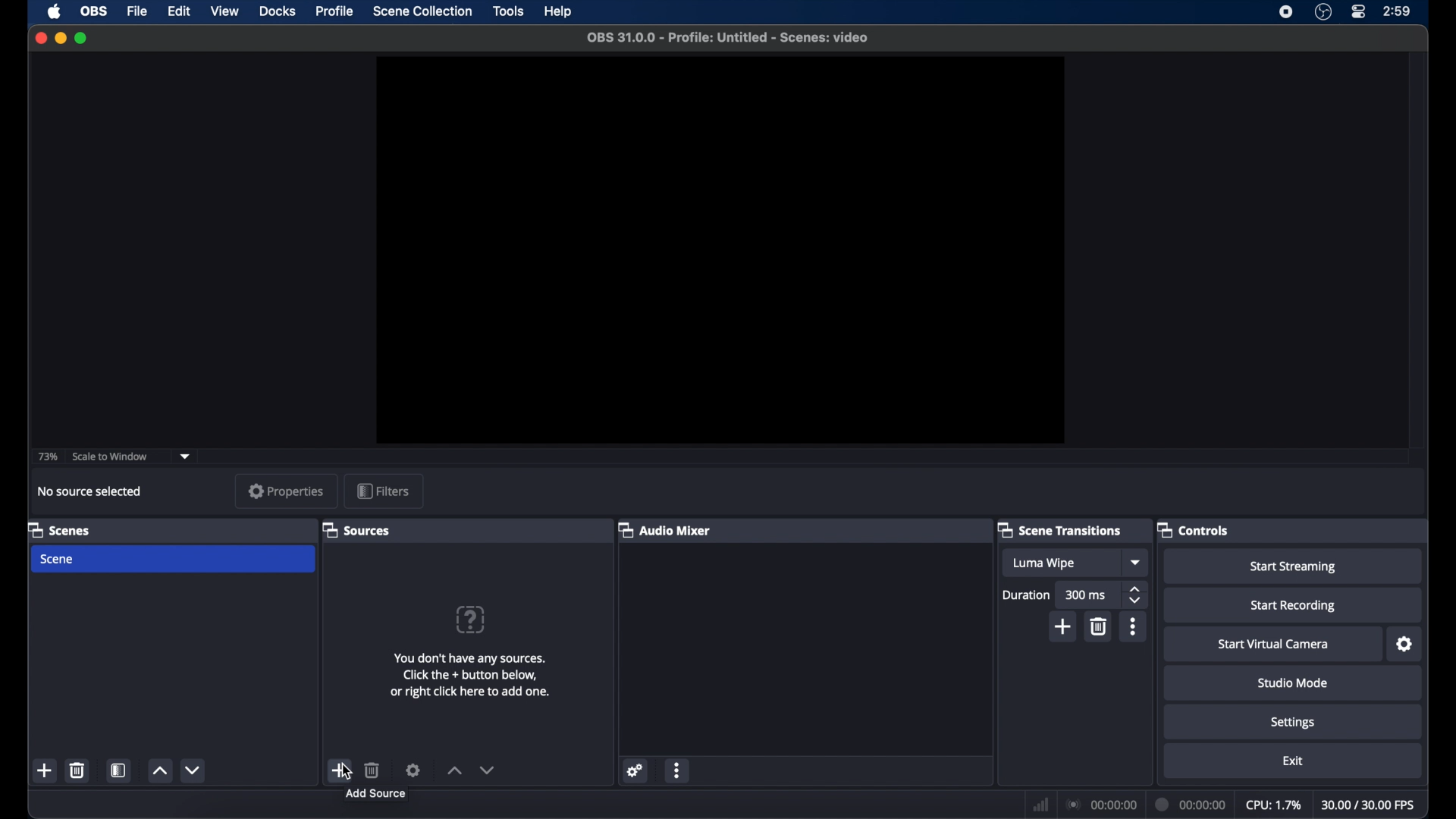 Image resolution: width=1456 pixels, height=819 pixels. Describe the element at coordinates (1063, 627) in the screenshot. I see `add` at that location.